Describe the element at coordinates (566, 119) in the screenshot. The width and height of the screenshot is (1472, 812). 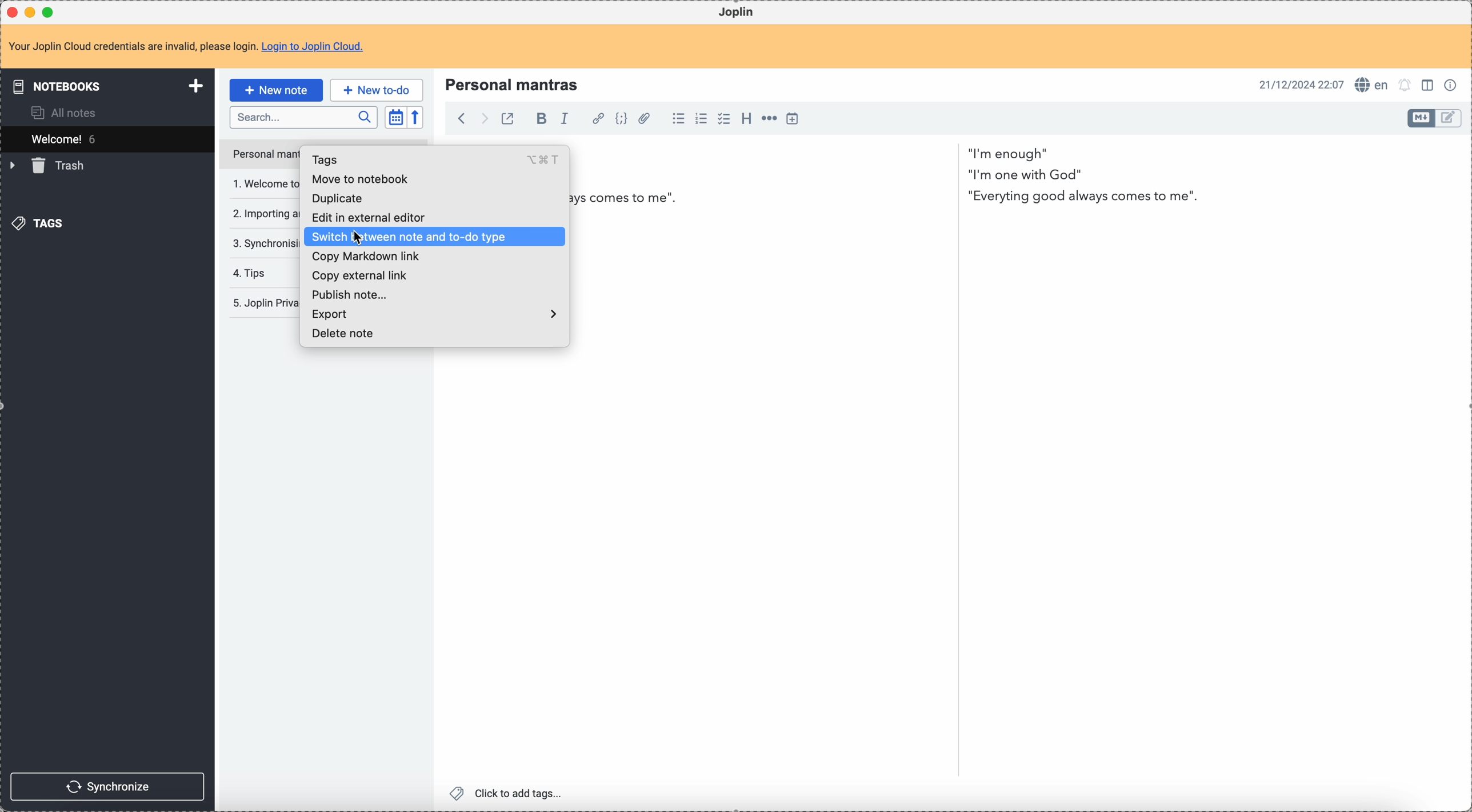
I see `italic` at that location.